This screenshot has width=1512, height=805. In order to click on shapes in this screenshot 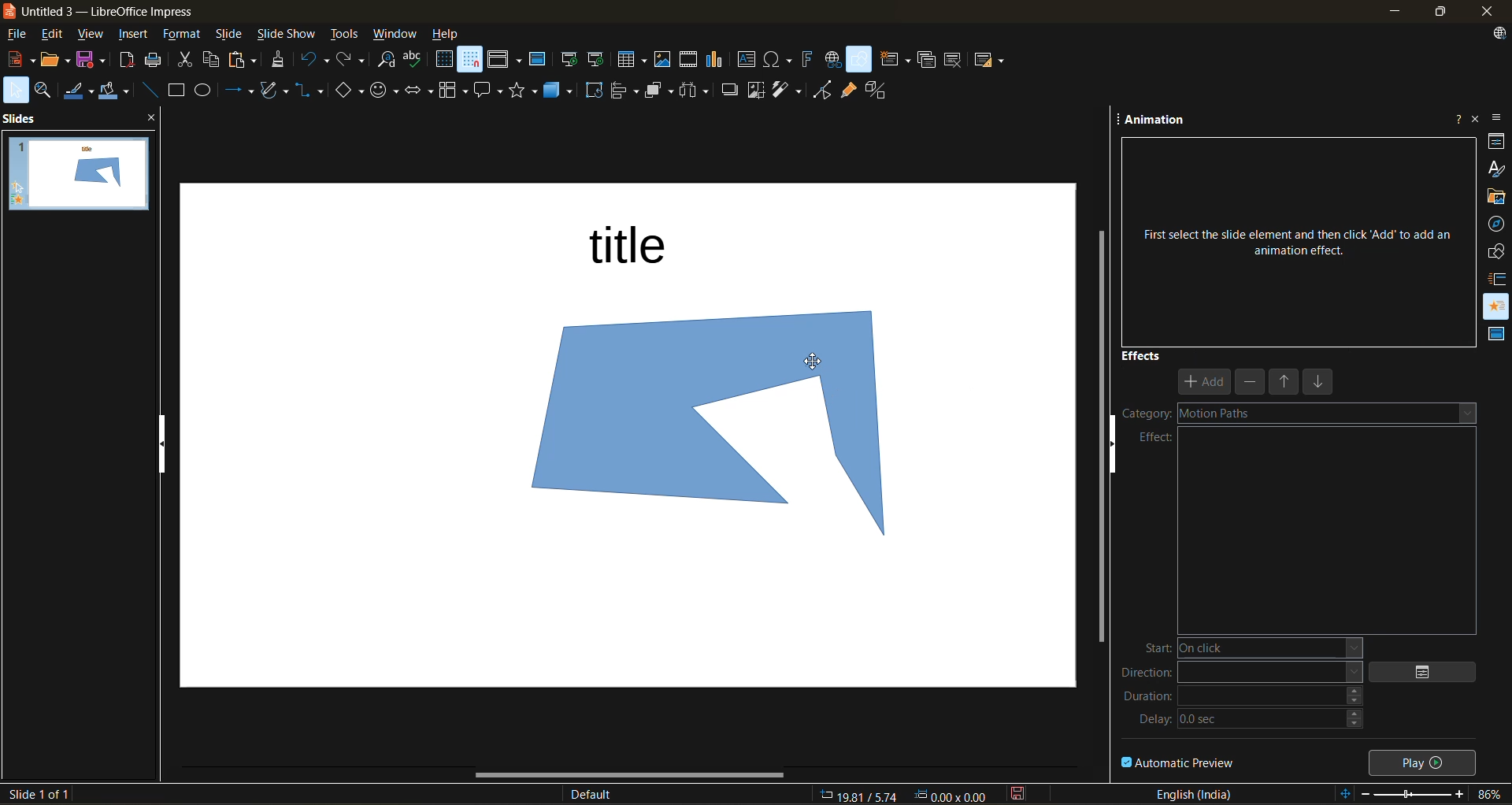, I will do `click(1494, 249)`.